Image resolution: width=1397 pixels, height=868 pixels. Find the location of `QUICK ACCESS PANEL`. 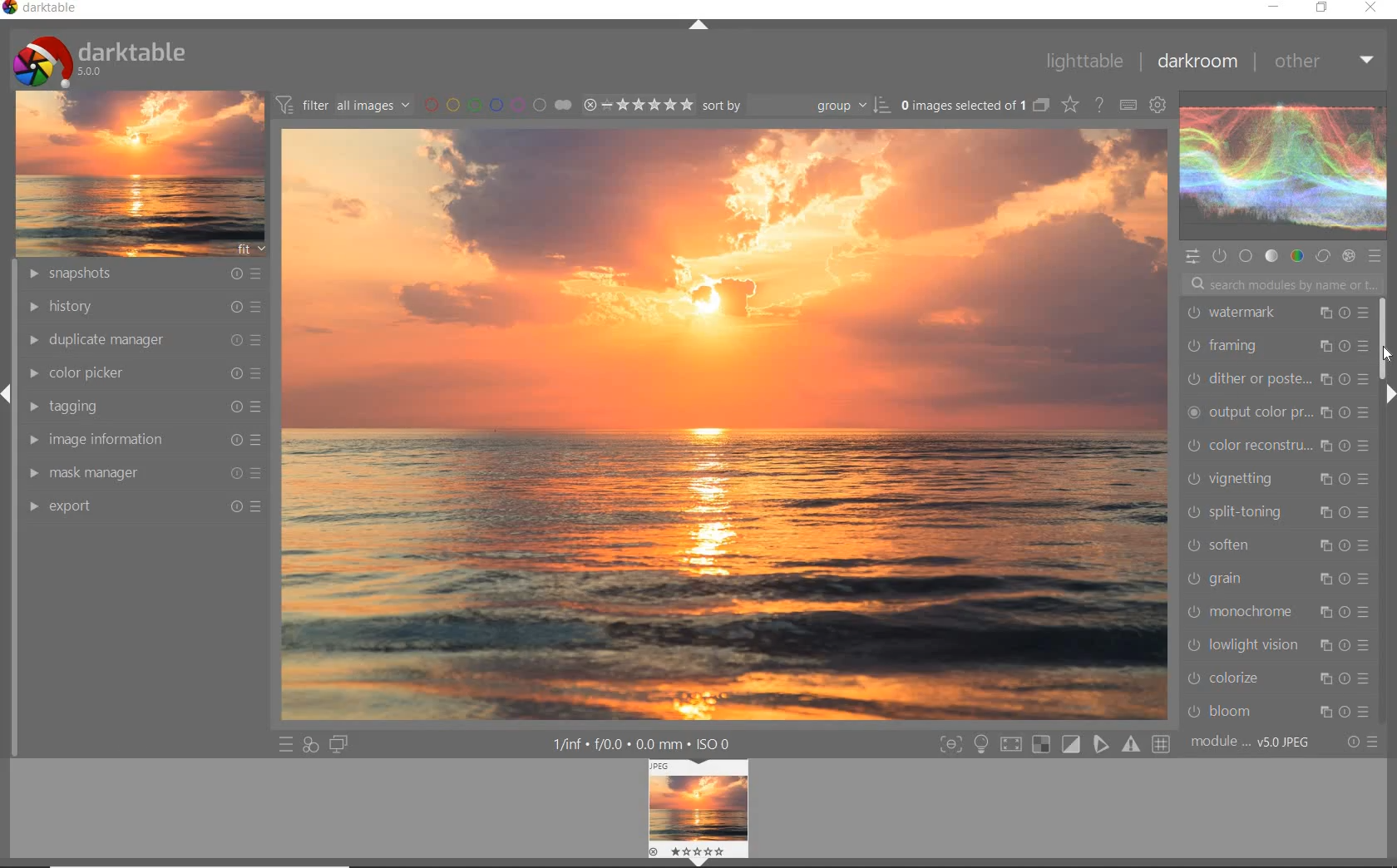

QUICK ACCESS PANEL is located at coordinates (1194, 255).